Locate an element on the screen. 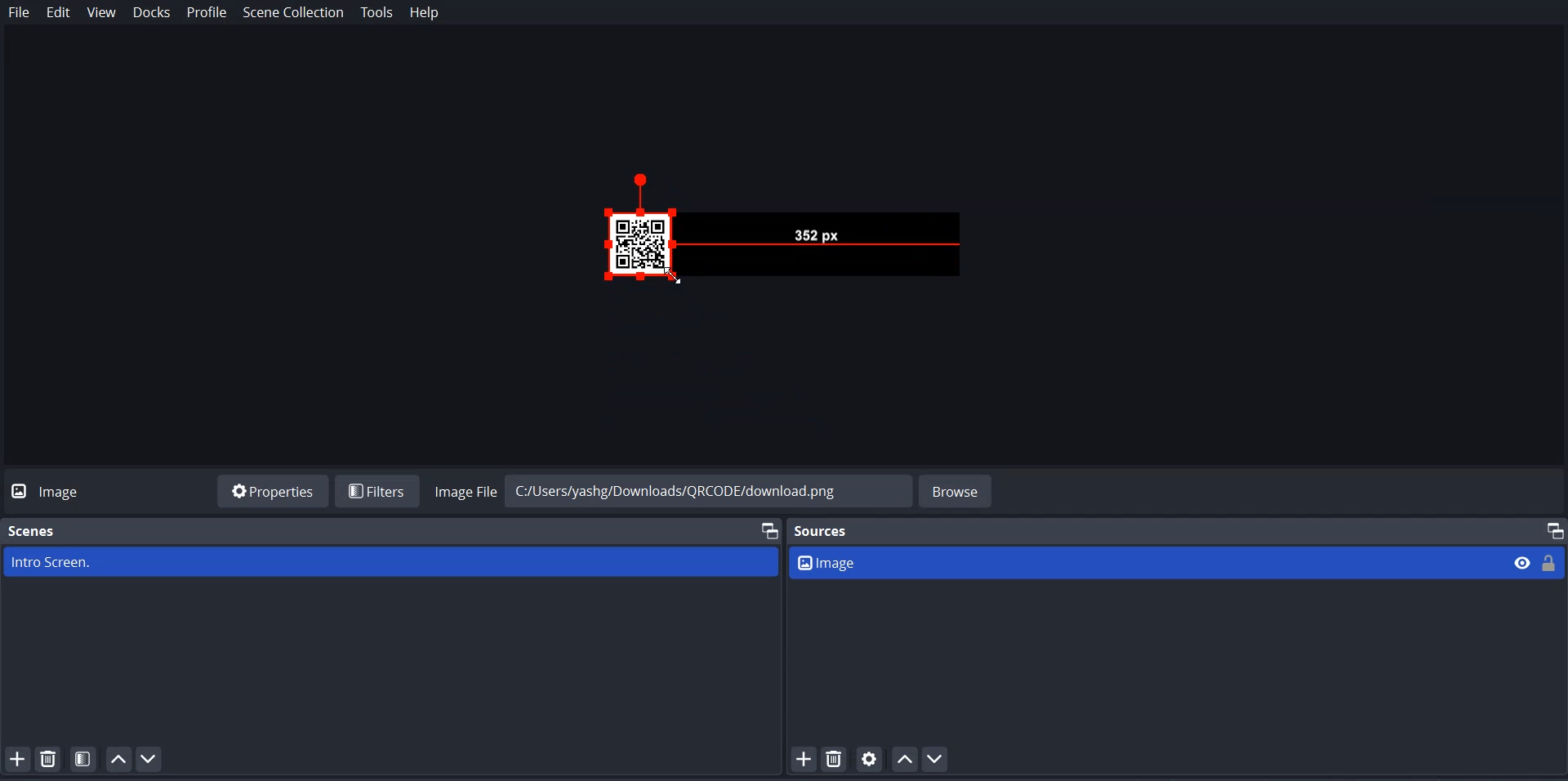 The image size is (1568, 781). Help is located at coordinates (425, 13).